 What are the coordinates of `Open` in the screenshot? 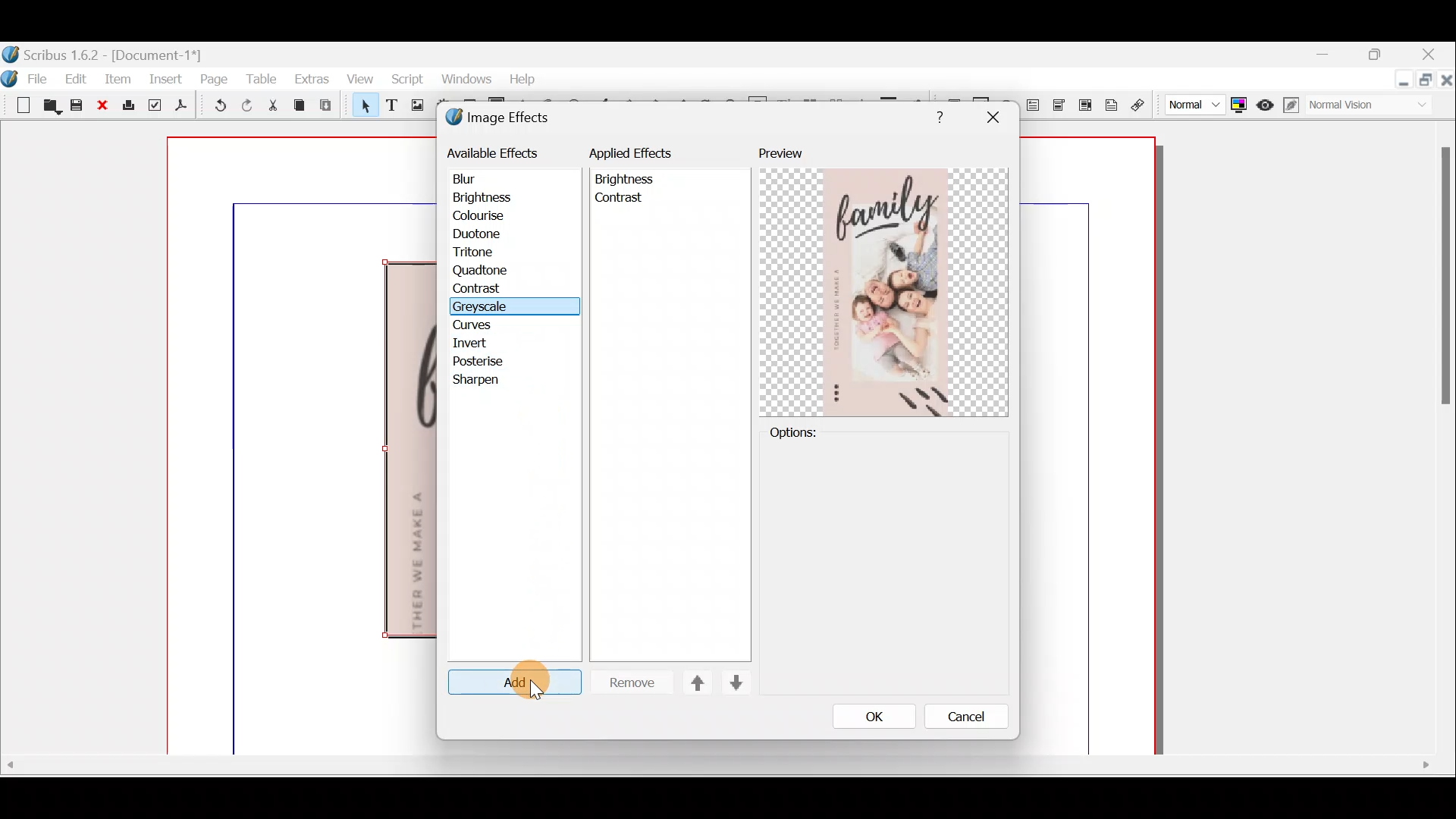 It's located at (48, 106).